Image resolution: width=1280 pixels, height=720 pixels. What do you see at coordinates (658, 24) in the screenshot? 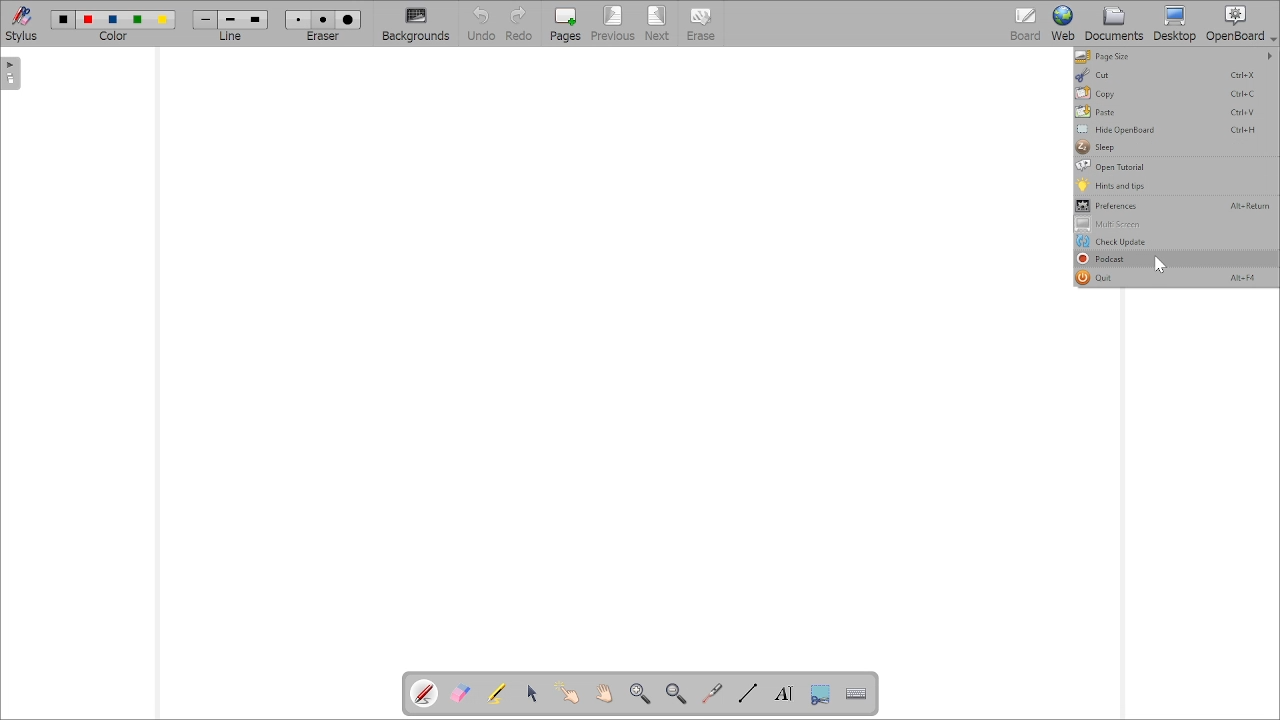
I see `Next` at bounding box center [658, 24].